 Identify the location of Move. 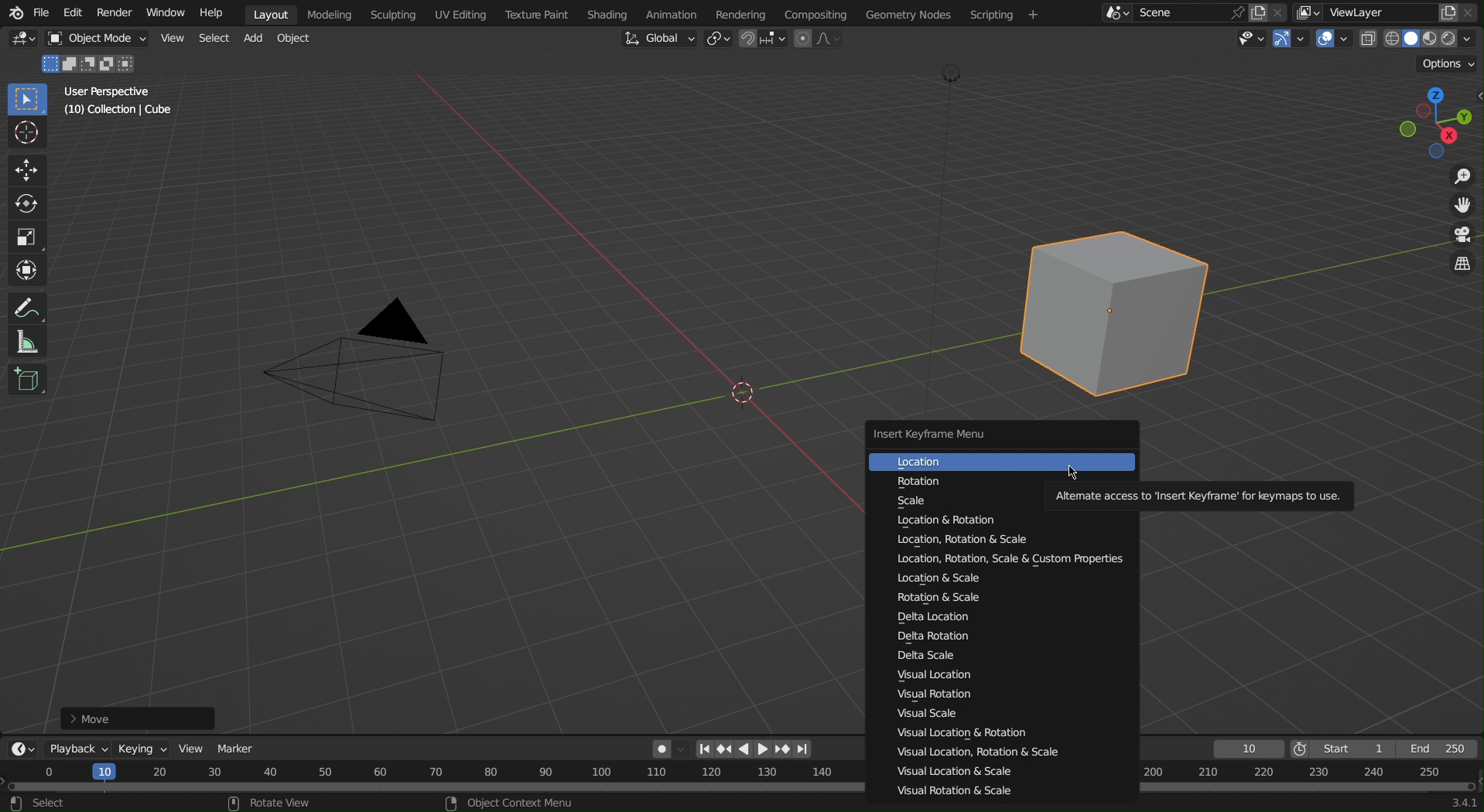
(140, 715).